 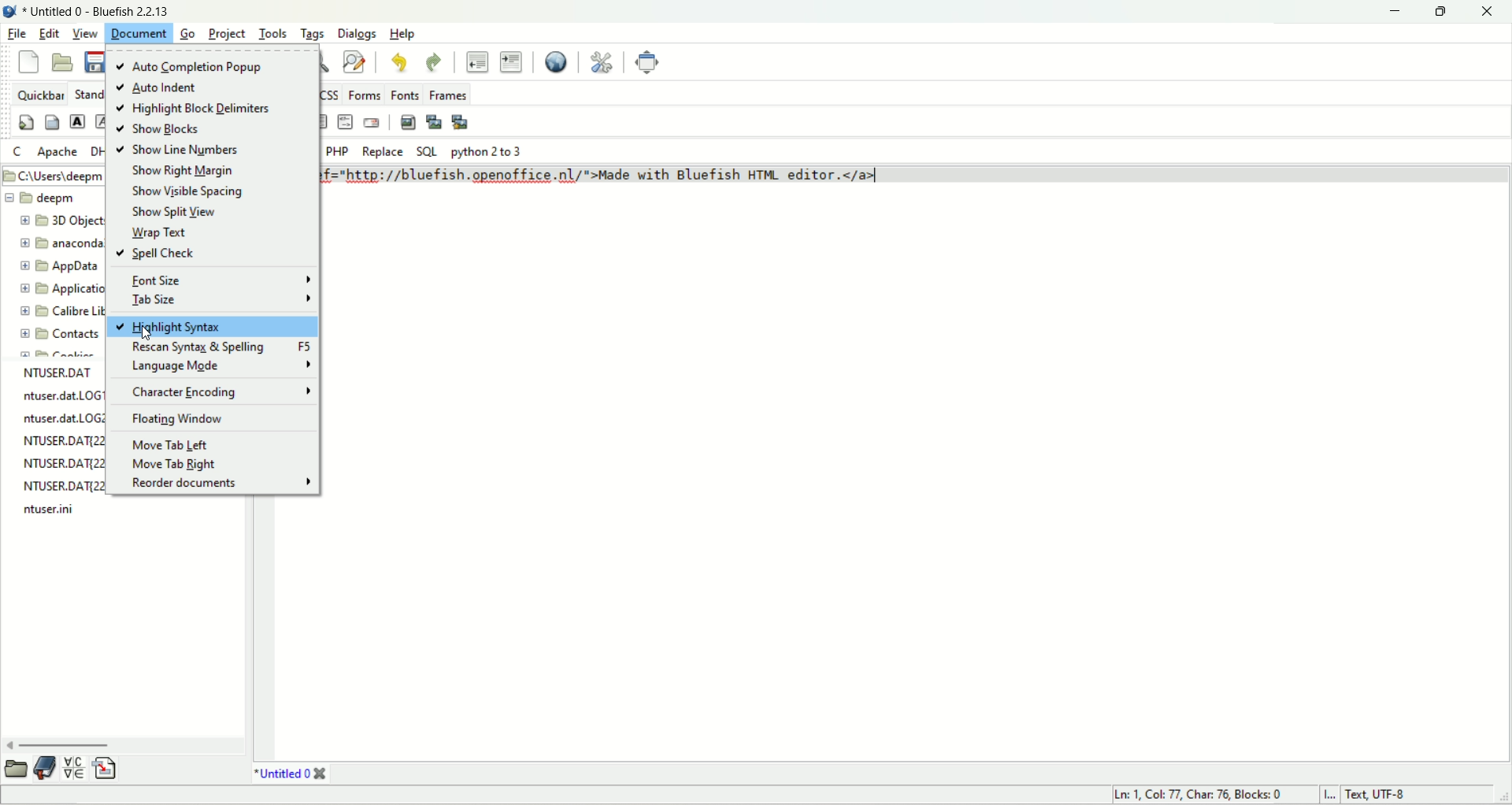 What do you see at coordinates (191, 109) in the screenshot?
I see `highlight block delimiters` at bounding box center [191, 109].